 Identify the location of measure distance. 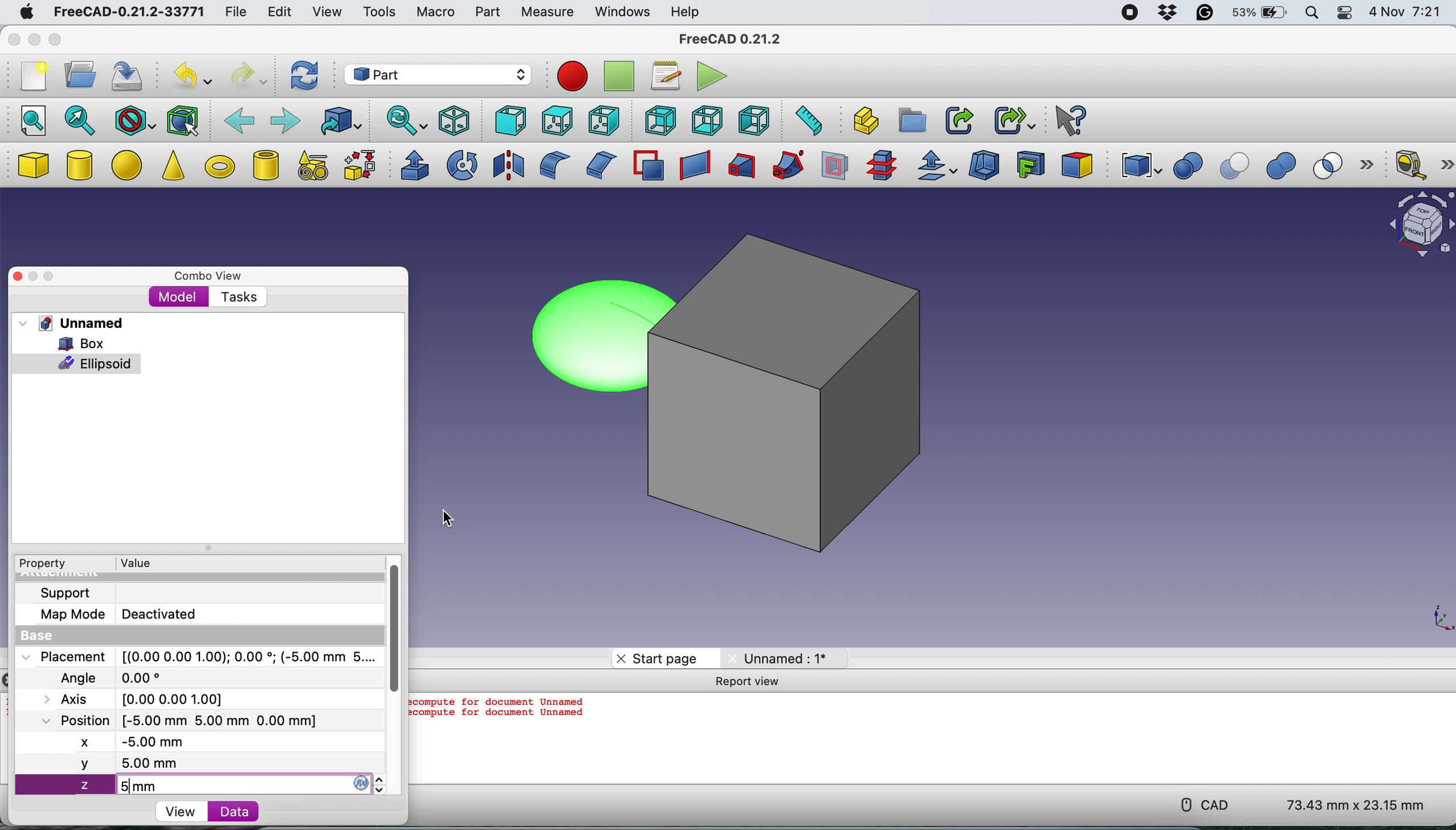
(805, 120).